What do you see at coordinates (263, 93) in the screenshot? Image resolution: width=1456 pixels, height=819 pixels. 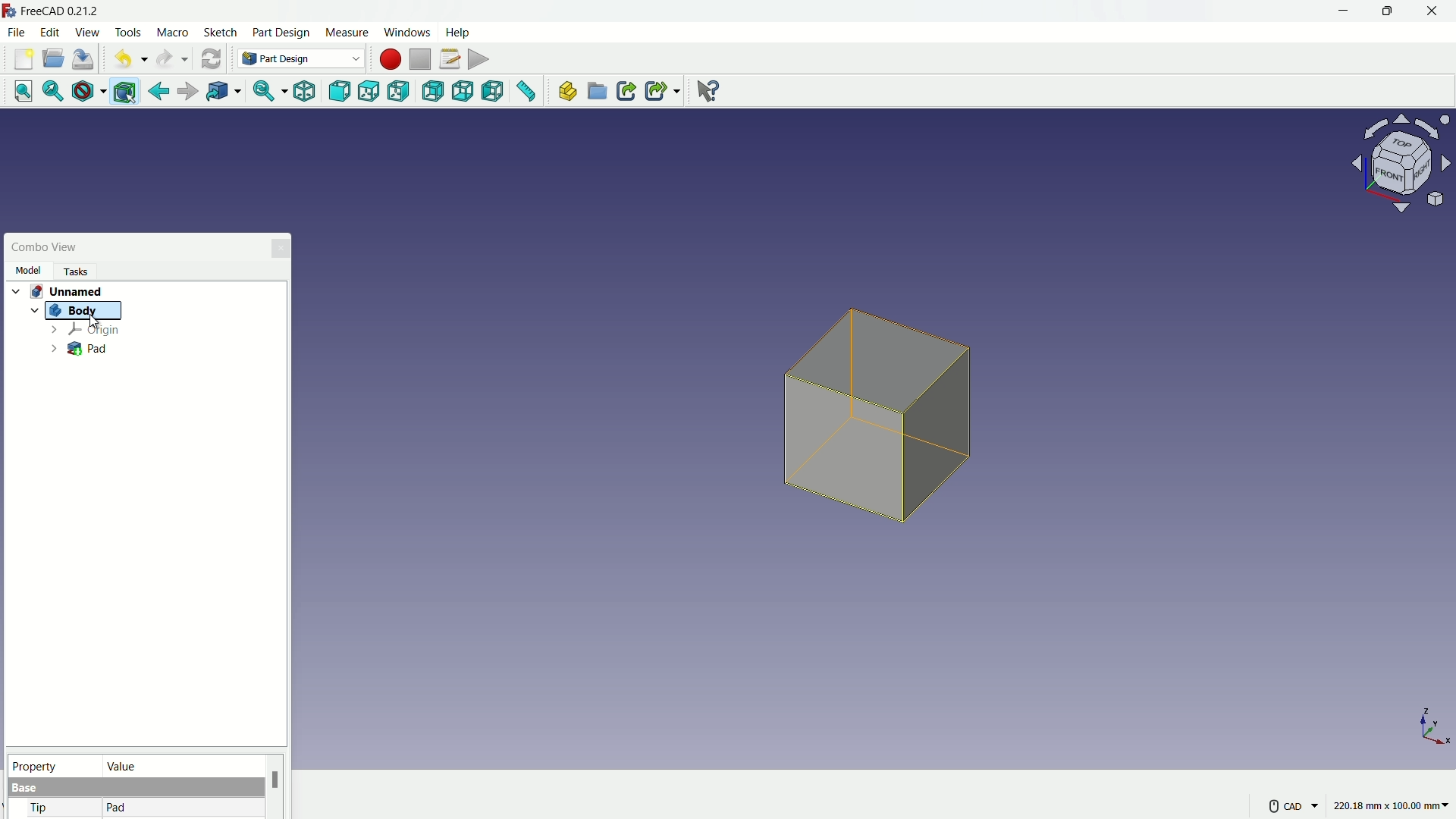 I see `sync view` at bounding box center [263, 93].